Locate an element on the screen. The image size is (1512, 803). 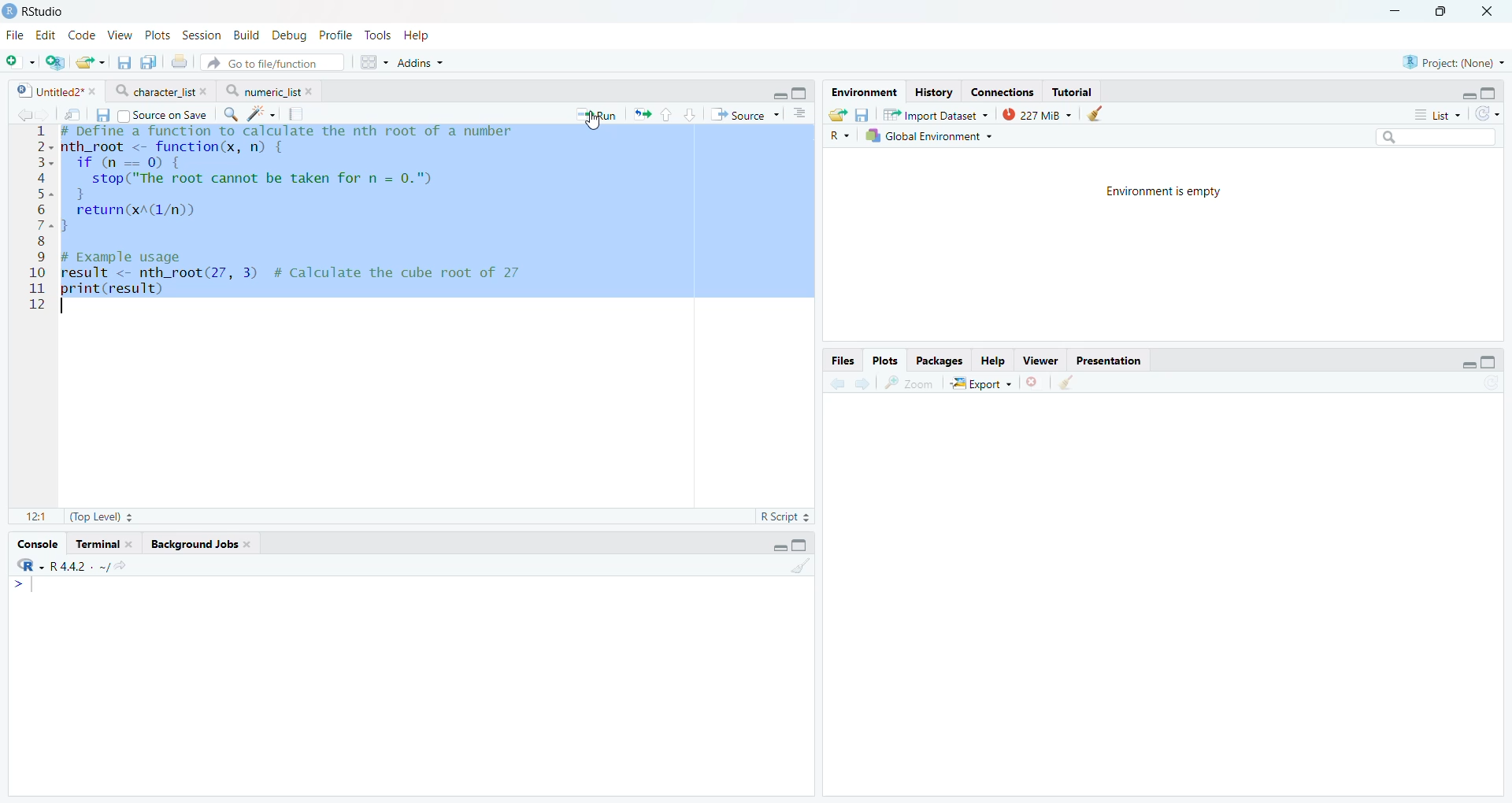
Go to previous section is located at coordinates (667, 114).